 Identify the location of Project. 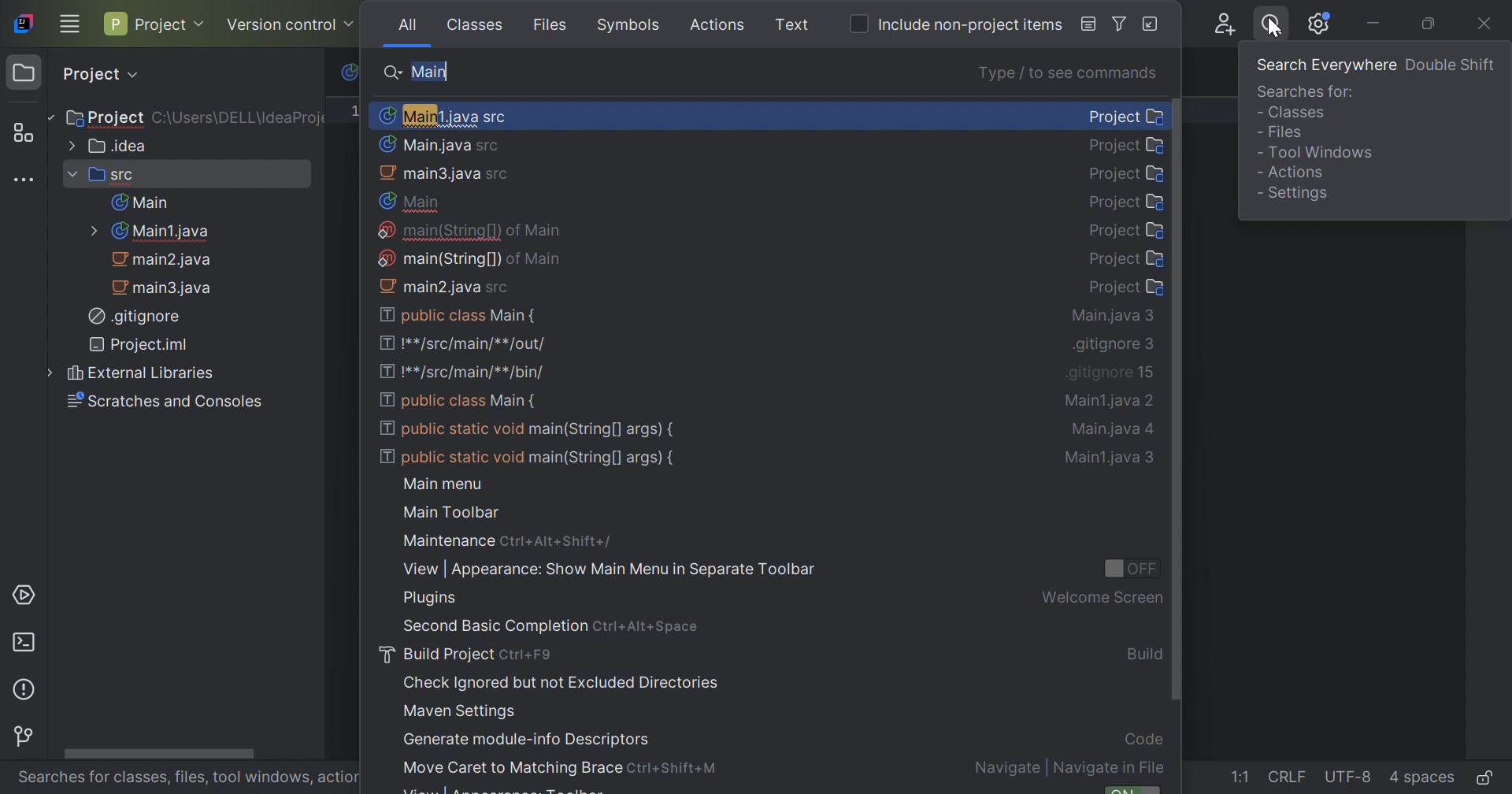
(1125, 115).